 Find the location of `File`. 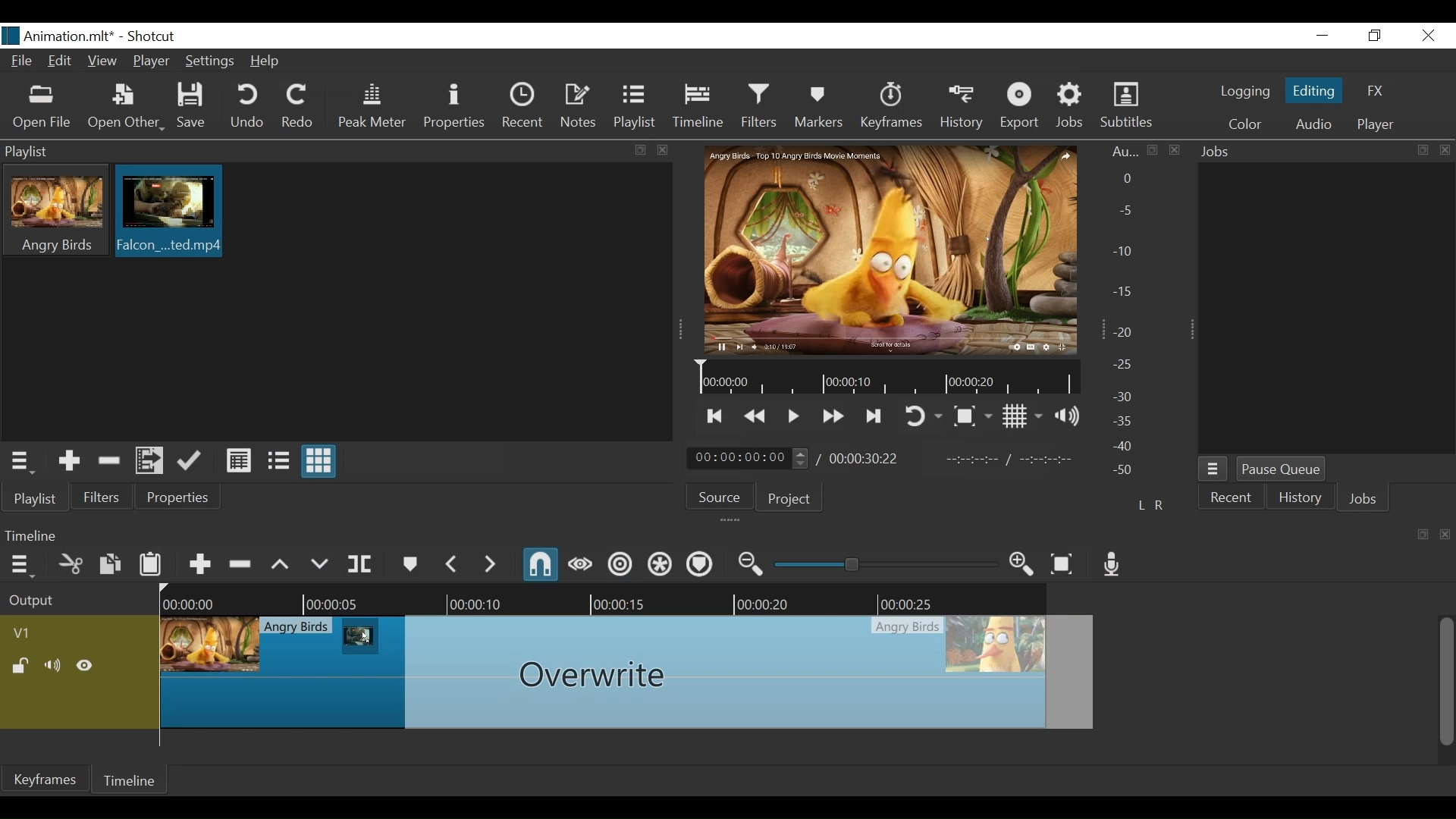

File is located at coordinates (21, 60).